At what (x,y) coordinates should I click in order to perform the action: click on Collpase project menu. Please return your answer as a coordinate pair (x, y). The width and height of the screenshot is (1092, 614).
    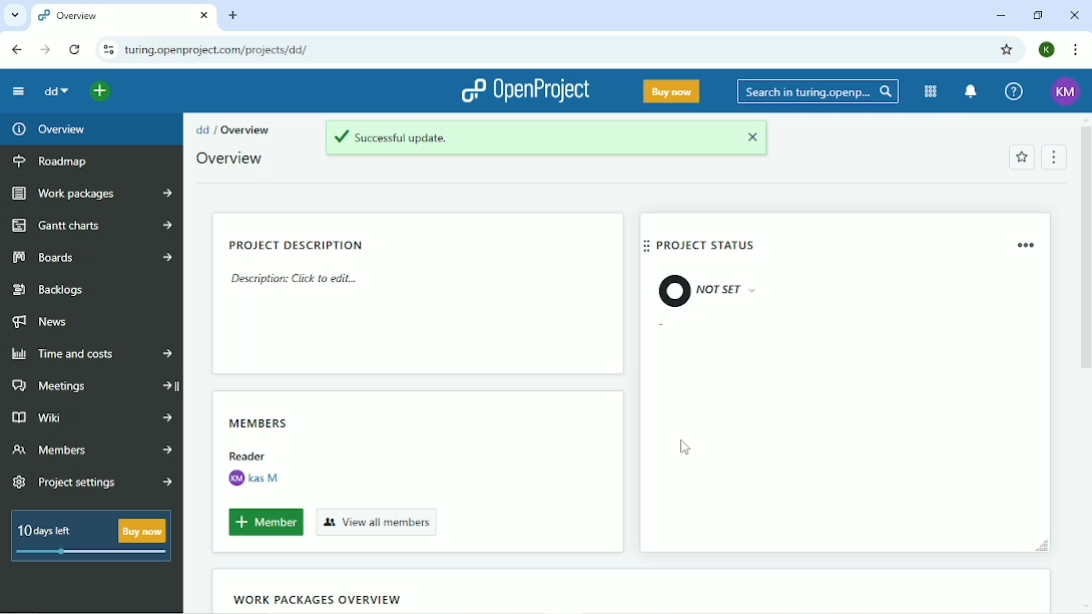
    Looking at the image, I should click on (18, 93).